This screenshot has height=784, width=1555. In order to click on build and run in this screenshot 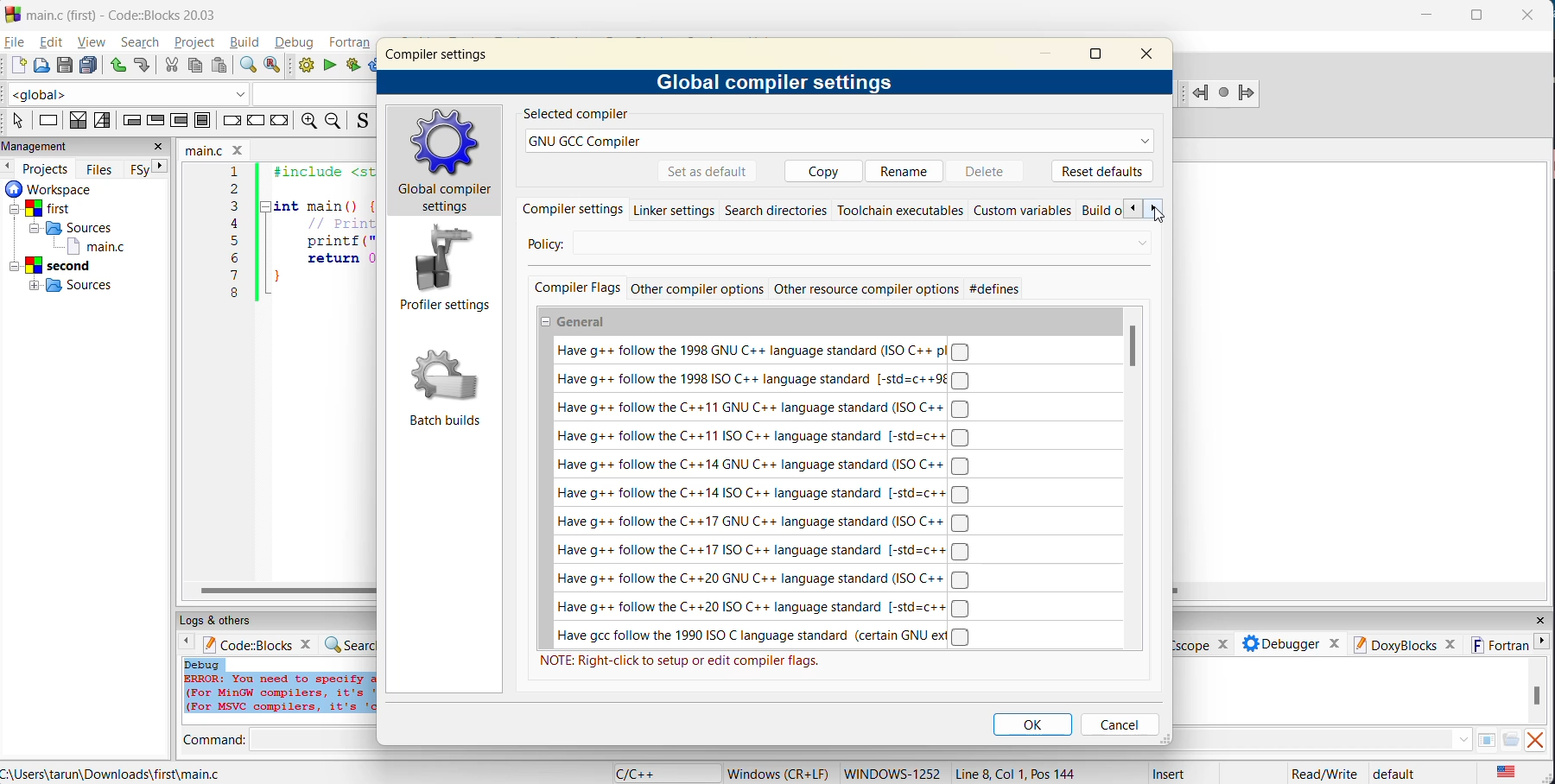, I will do `click(354, 65)`.